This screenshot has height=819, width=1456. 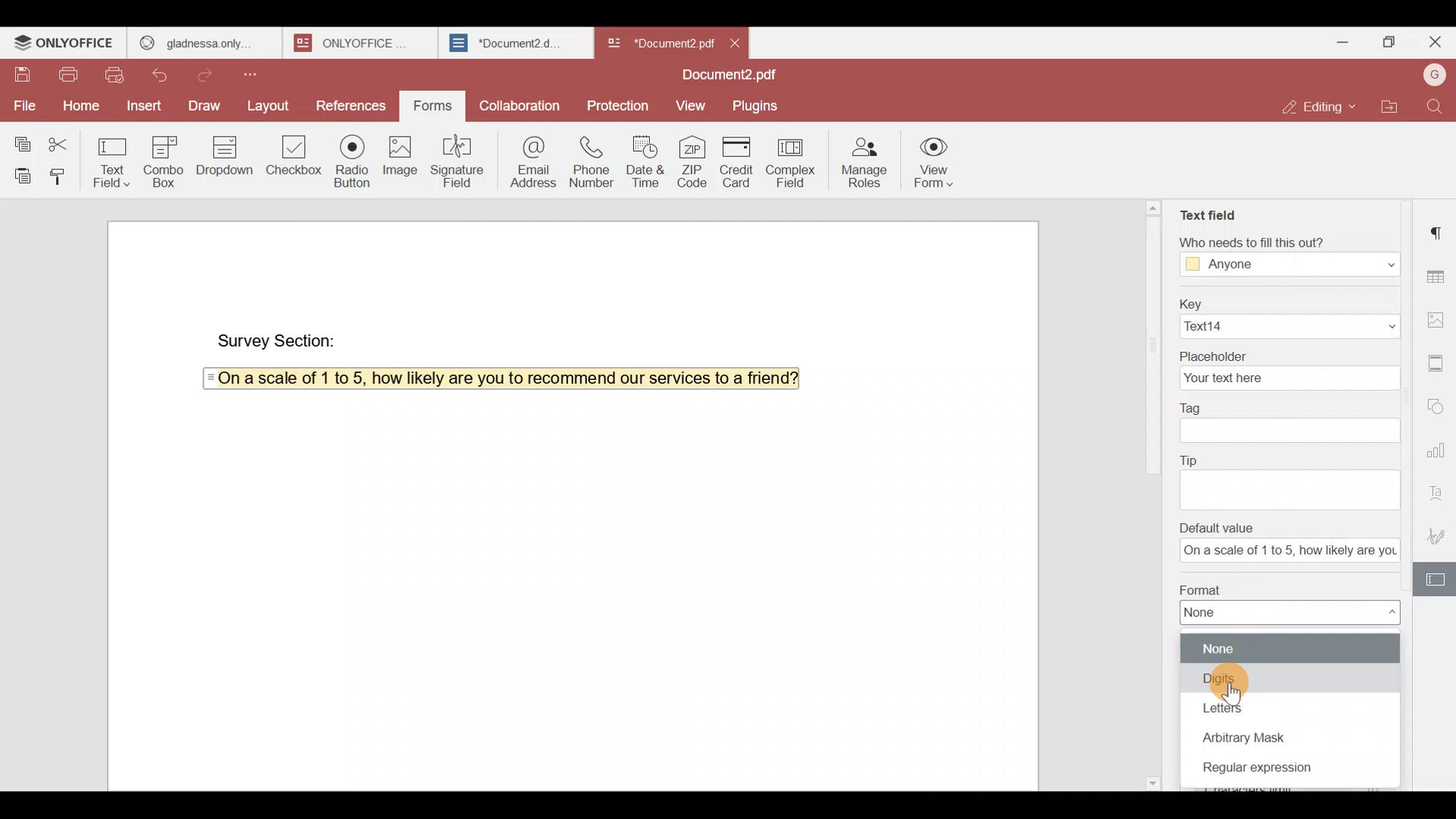 What do you see at coordinates (356, 42) in the screenshot?
I see `ONLYOFFICE` at bounding box center [356, 42].